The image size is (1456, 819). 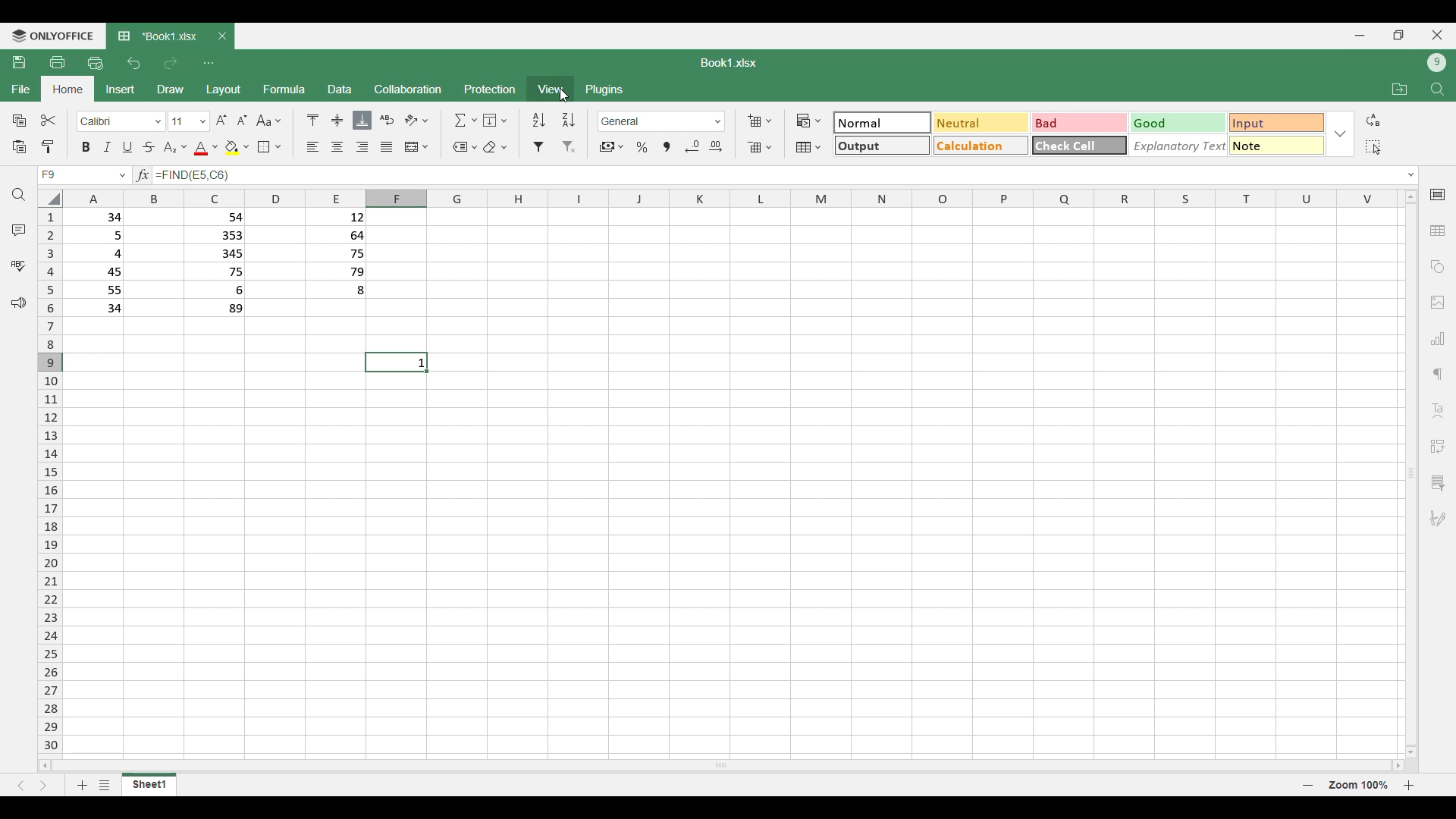 I want to click on Delete cells, so click(x=759, y=148).